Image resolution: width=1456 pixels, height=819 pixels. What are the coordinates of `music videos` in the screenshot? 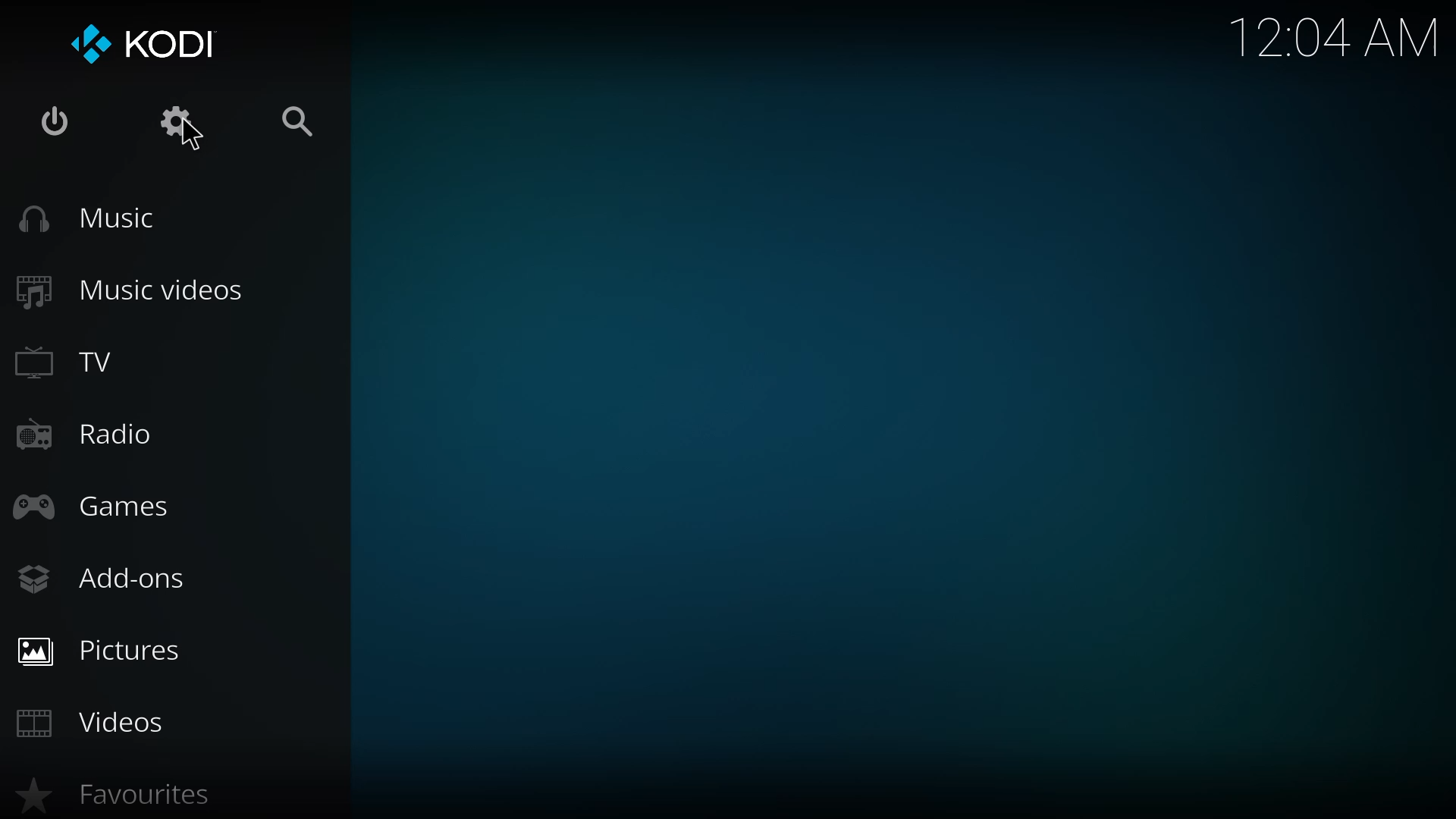 It's located at (148, 288).